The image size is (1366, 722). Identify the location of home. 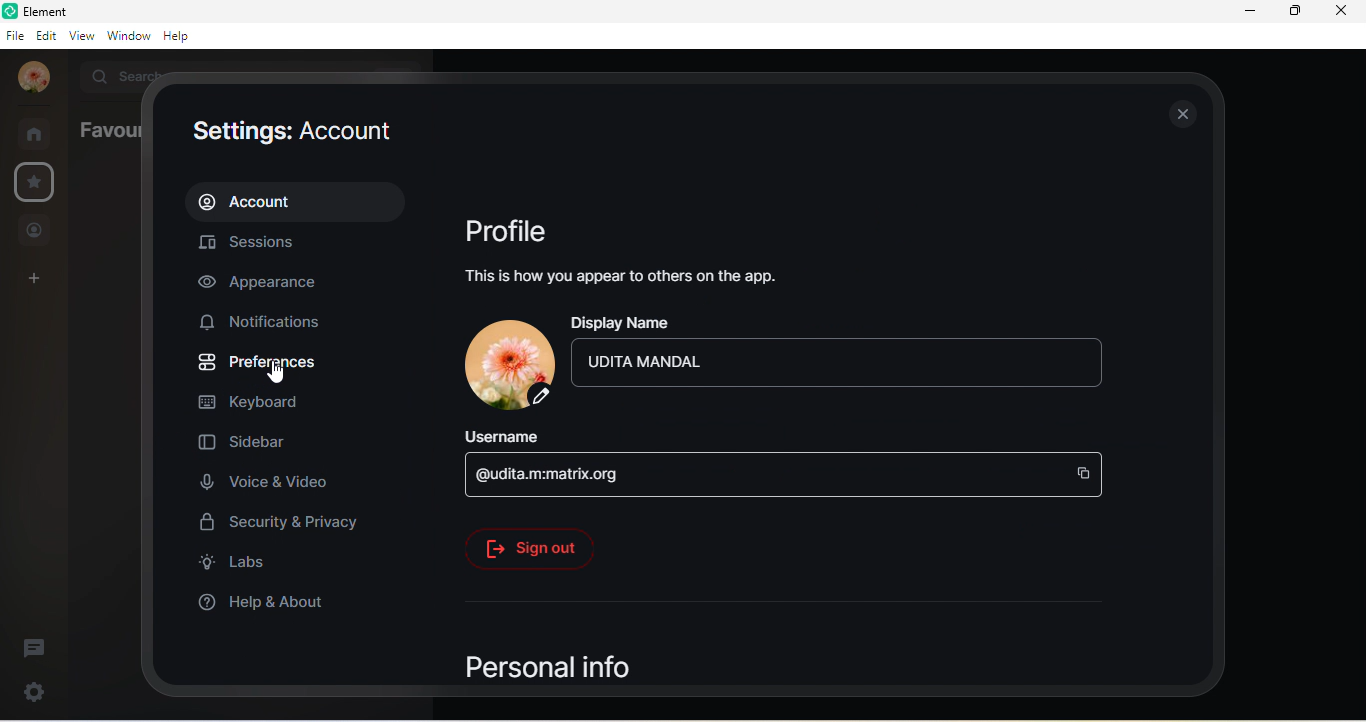
(36, 133).